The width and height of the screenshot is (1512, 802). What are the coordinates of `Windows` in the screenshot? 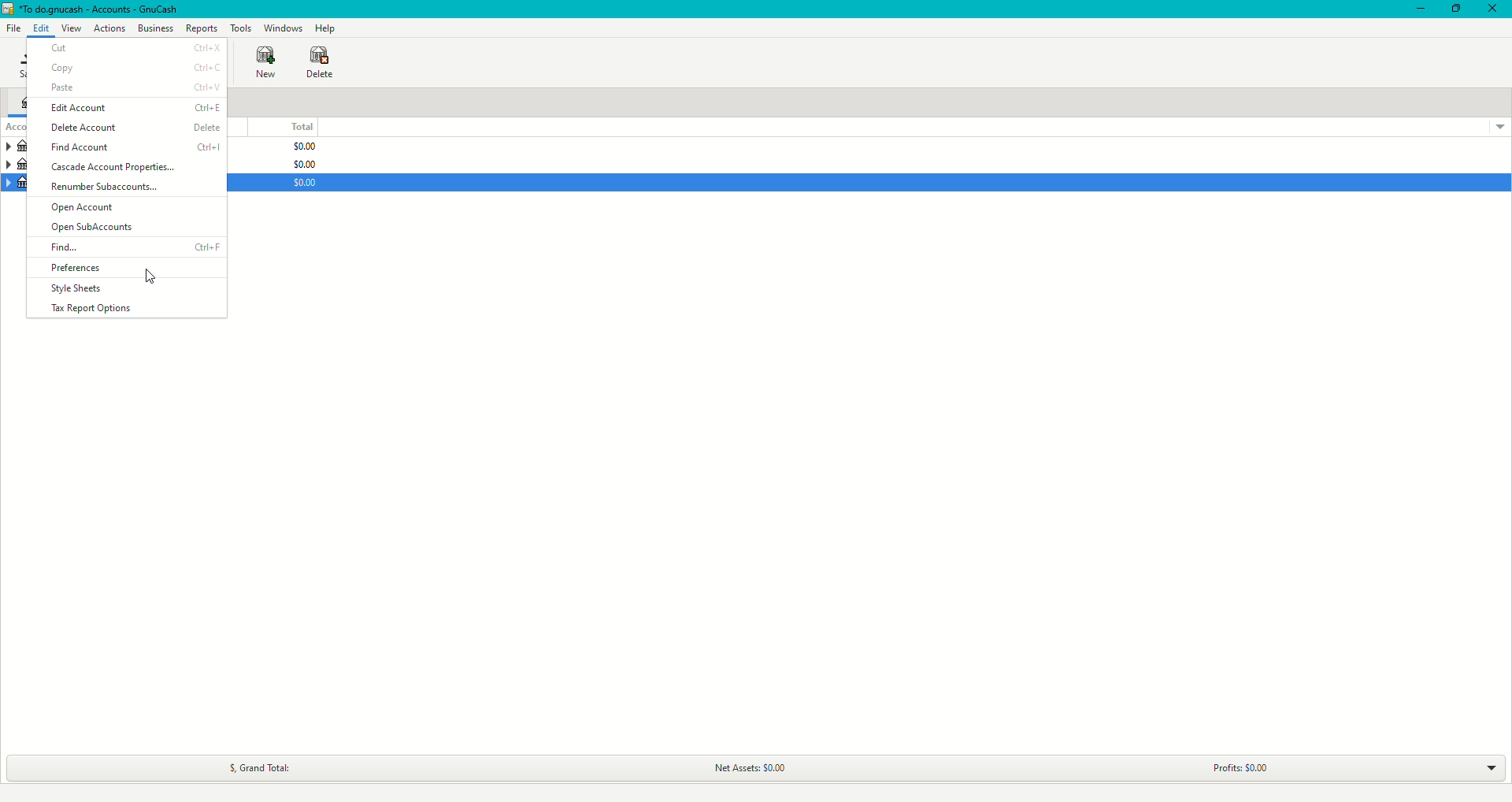 It's located at (283, 28).